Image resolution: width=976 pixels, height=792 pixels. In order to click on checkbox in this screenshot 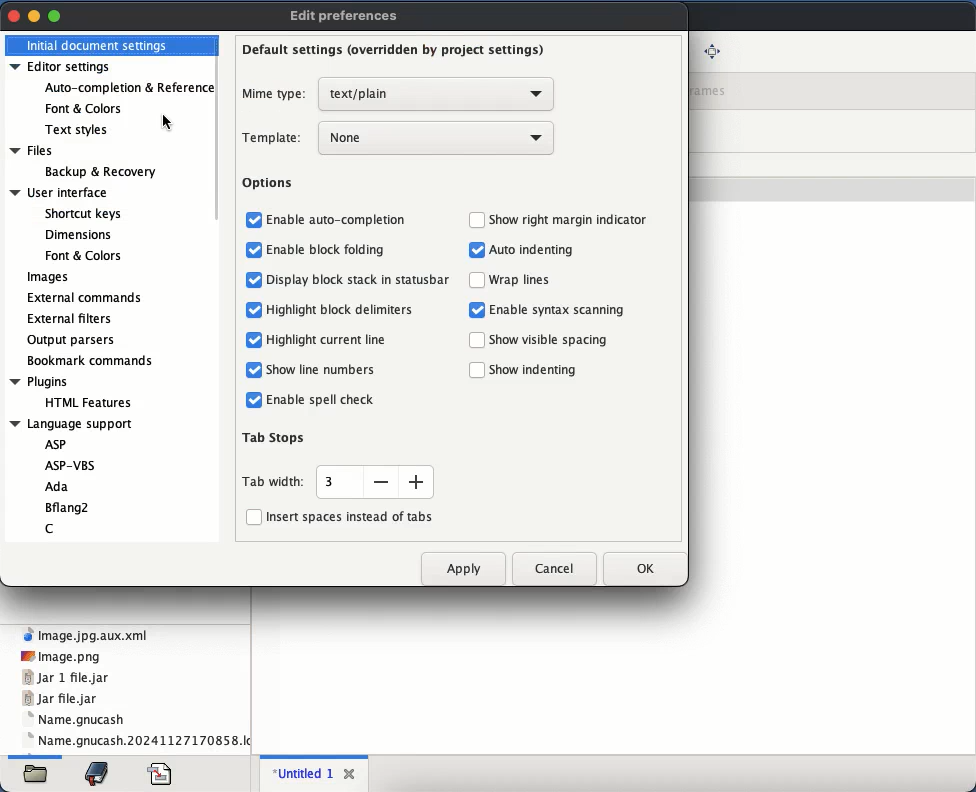, I will do `click(252, 340)`.